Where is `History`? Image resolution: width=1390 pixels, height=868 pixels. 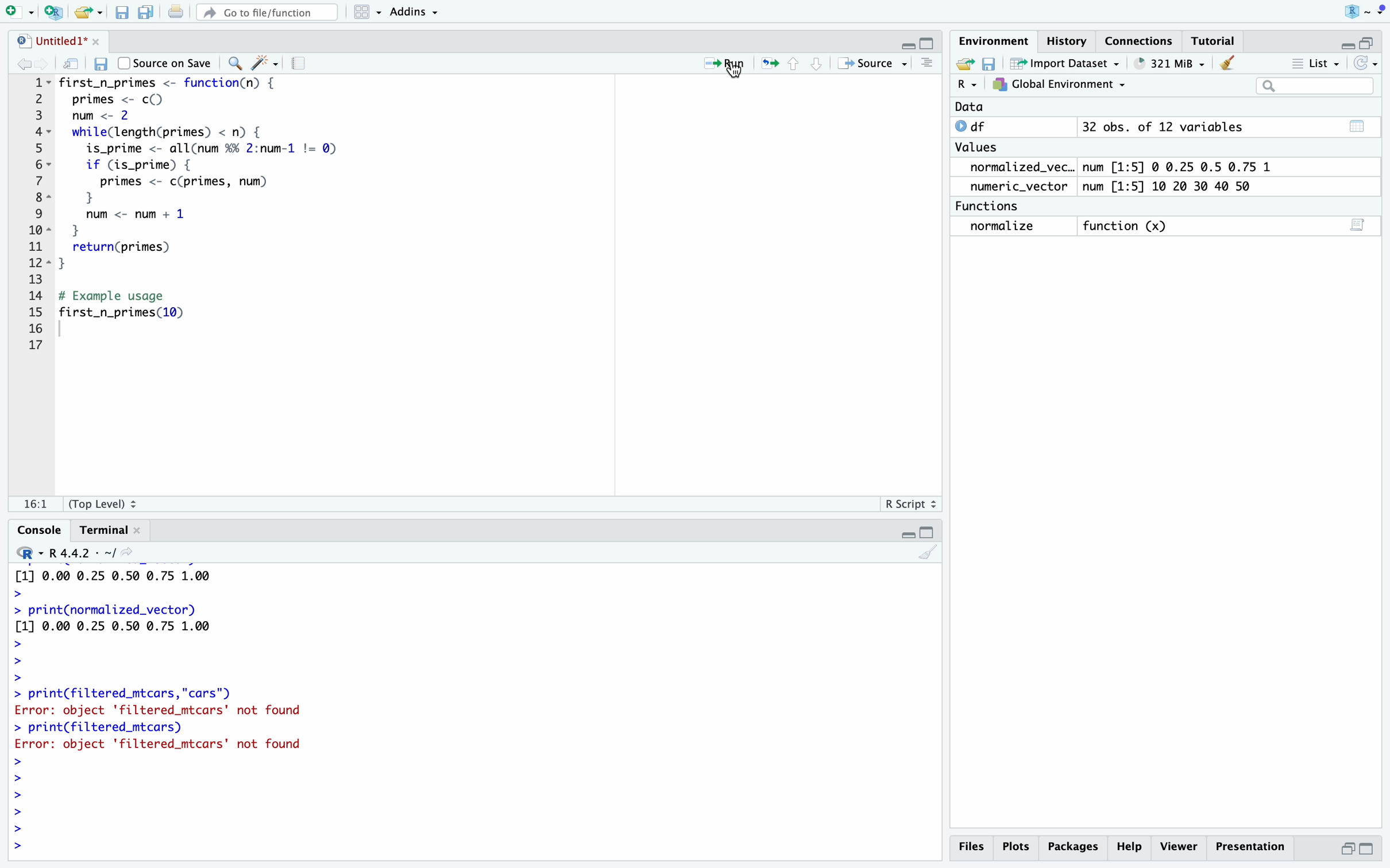 History is located at coordinates (1067, 37).